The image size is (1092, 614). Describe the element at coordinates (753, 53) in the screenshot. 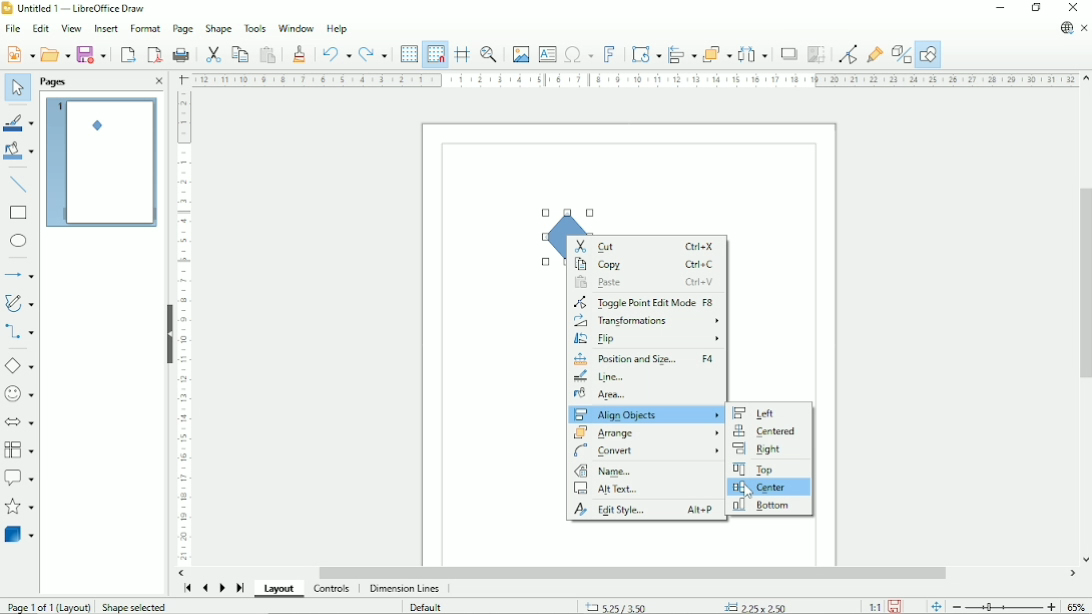

I see `Distribute` at that location.